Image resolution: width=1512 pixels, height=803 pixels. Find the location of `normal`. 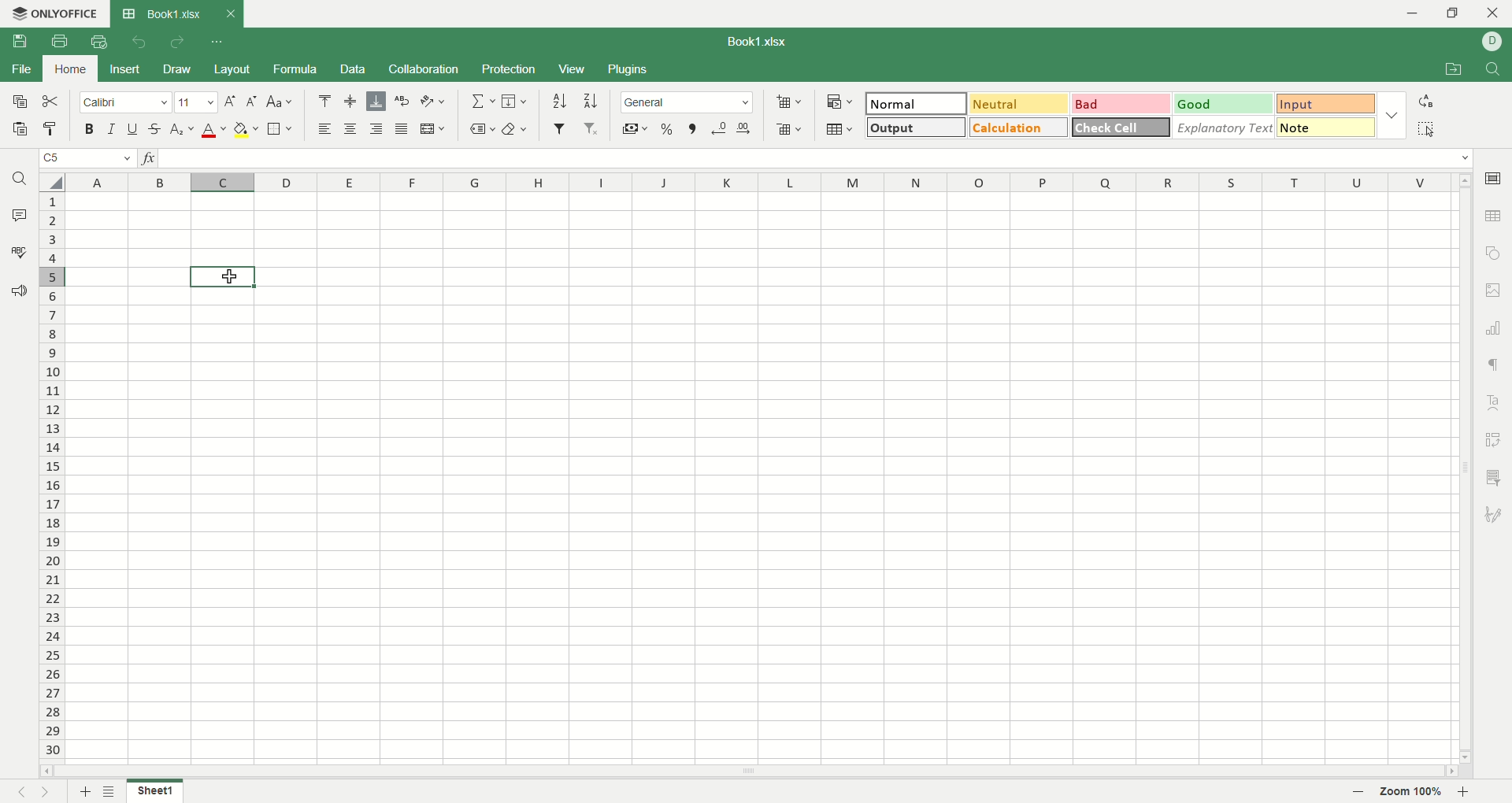

normal is located at coordinates (917, 103).